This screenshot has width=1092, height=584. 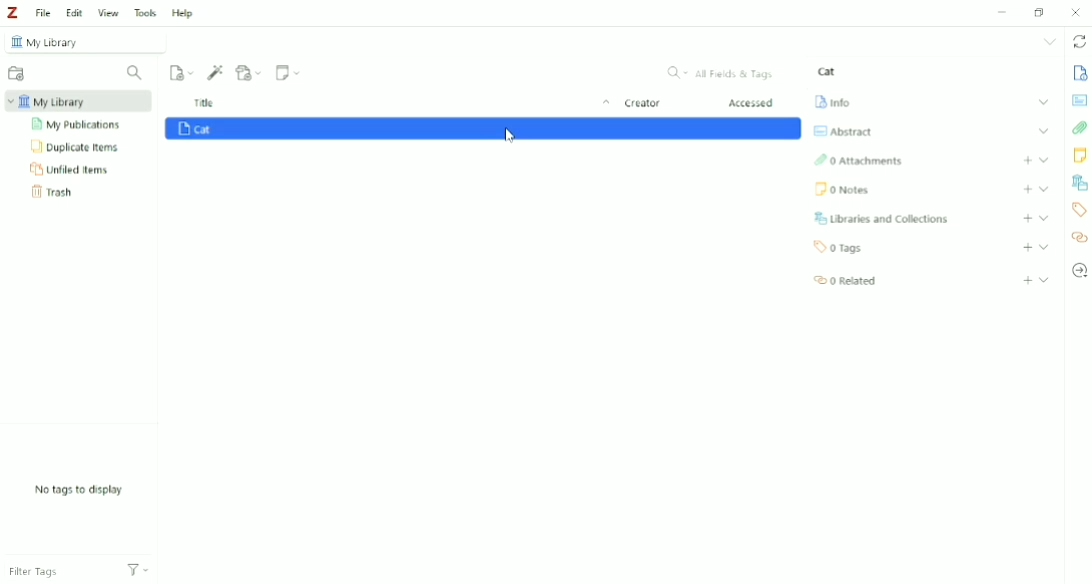 What do you see at coordinates (1080, 43) in the screenshot?
I see `Sync` at bounding box center [1080, 43].